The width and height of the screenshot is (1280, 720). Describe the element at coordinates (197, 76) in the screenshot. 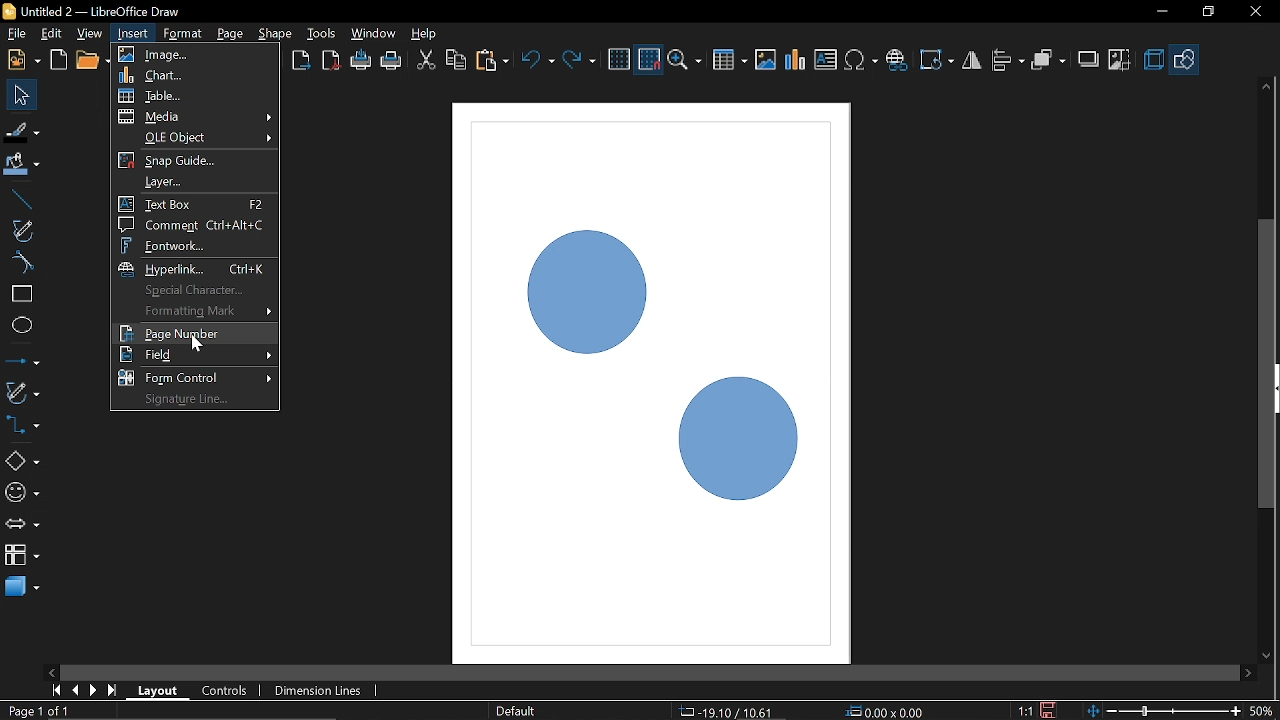

I see `CHart` at that location.